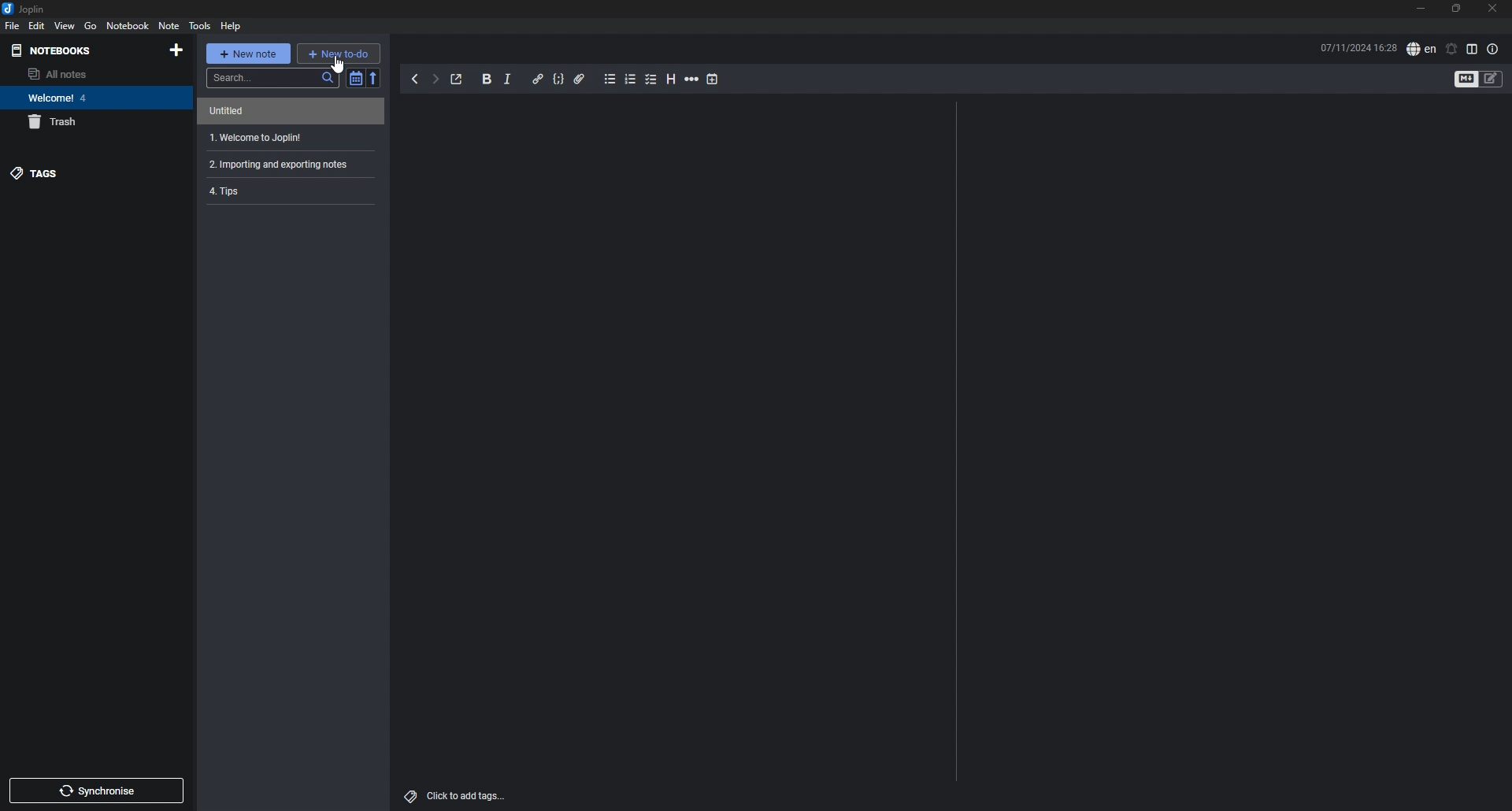  I want to click on heading, so click(671, 80).